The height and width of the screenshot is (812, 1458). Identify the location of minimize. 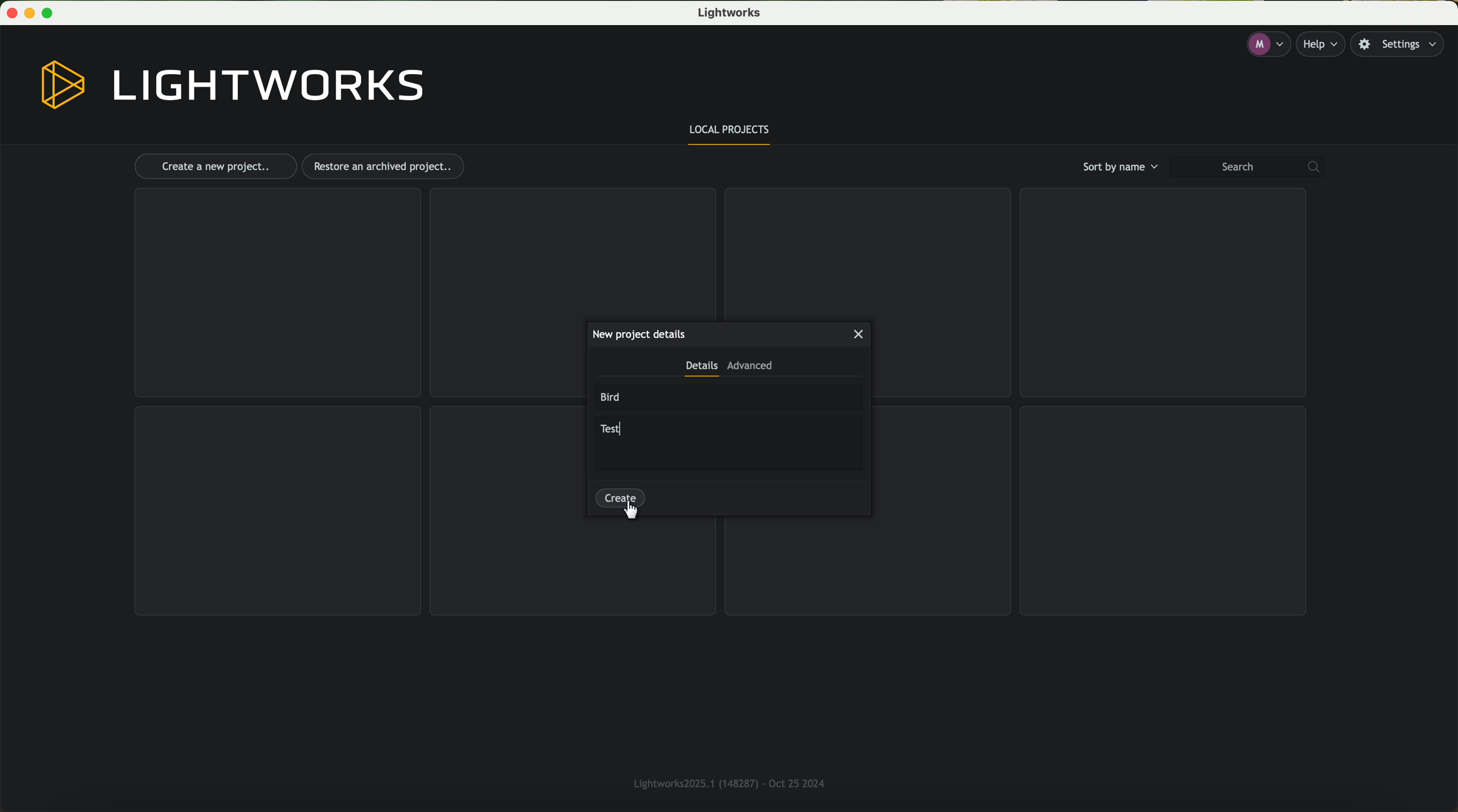
(32, 13).